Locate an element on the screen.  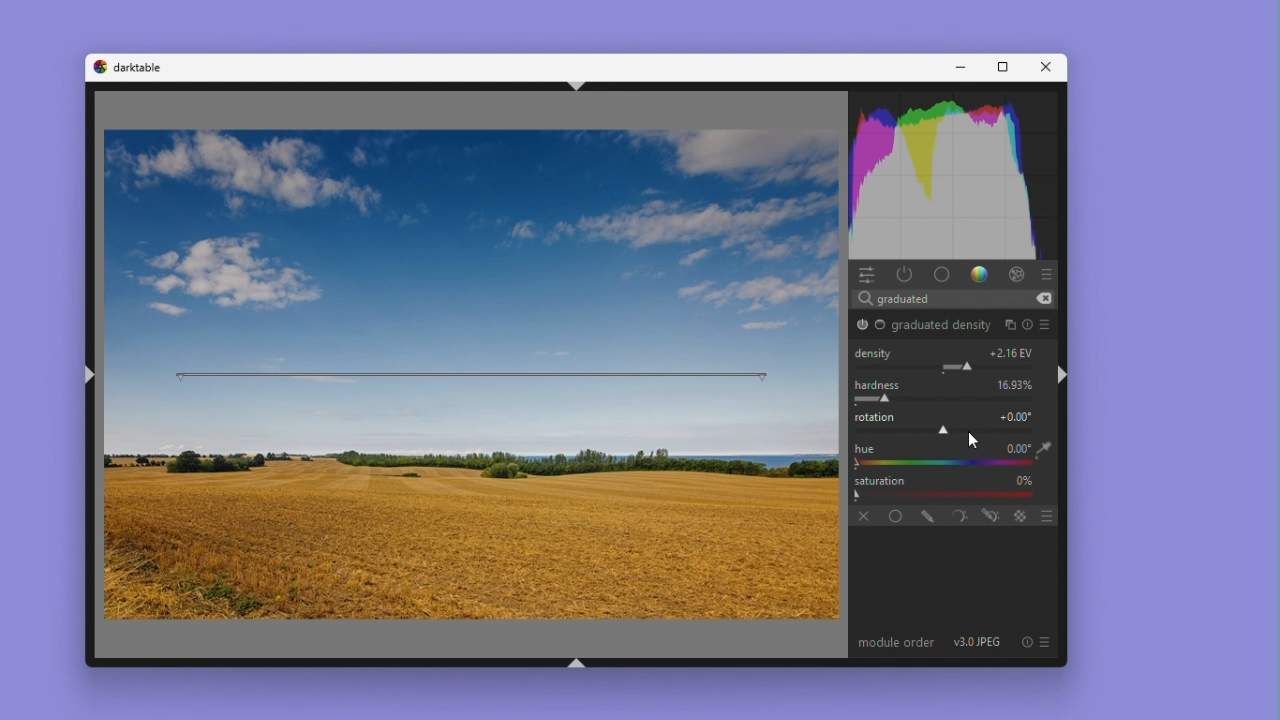
0% is located at coordinates (1023, 480).